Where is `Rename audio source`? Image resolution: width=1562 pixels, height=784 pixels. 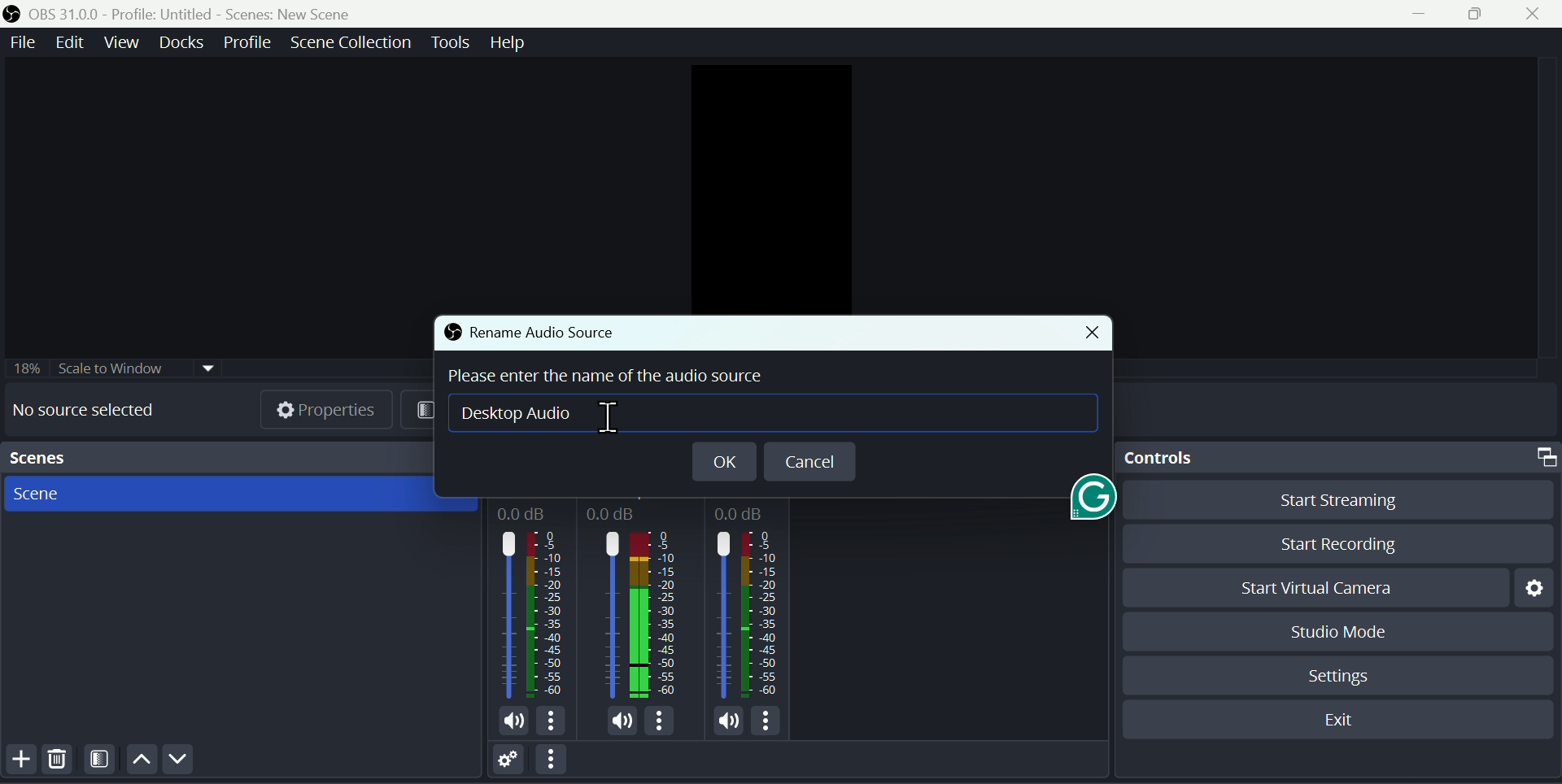 Rename audio source is located at coordinates (528, 332).